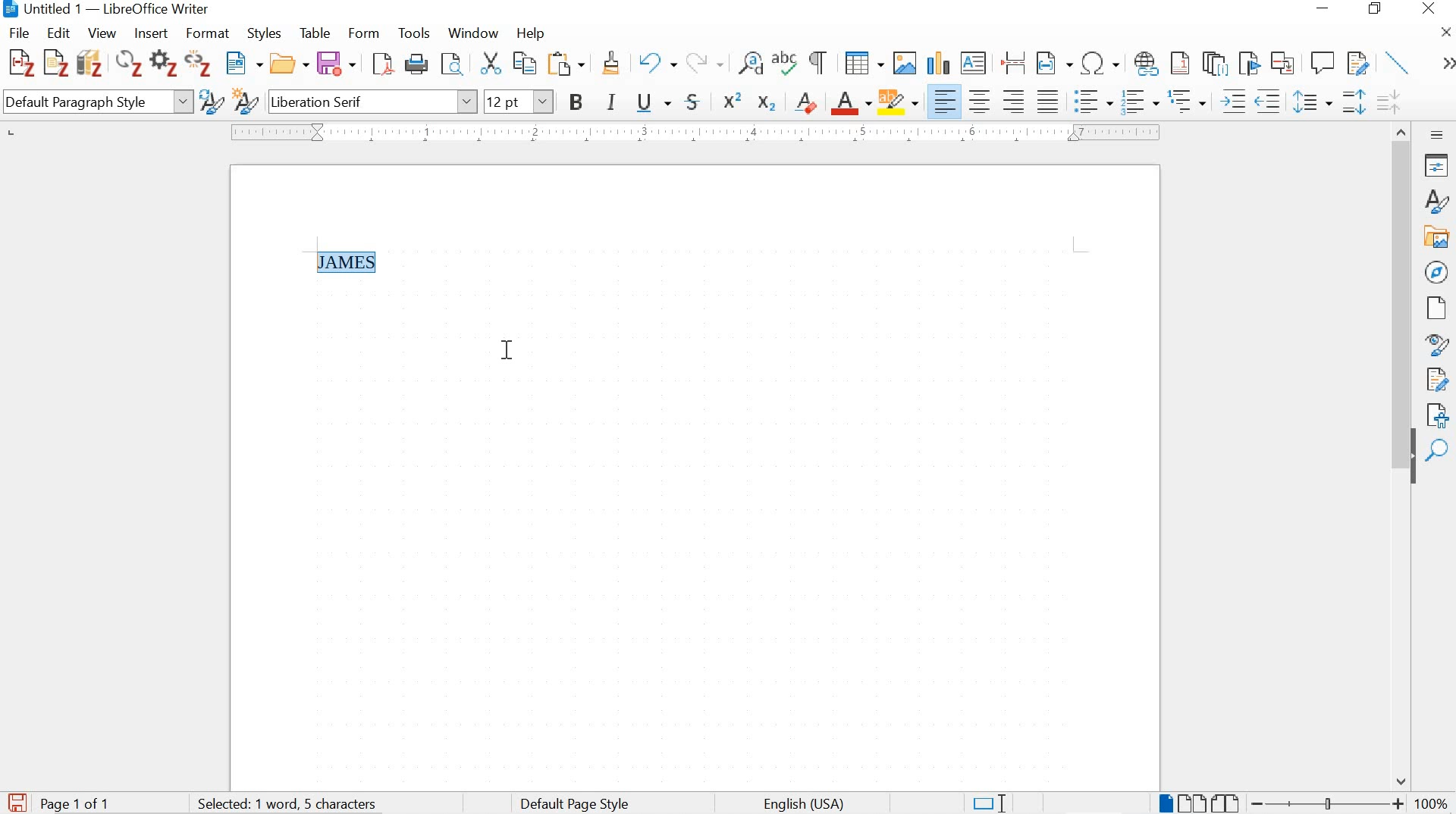  I want to click on decrease paragraph spacing, so click(1388, 104).